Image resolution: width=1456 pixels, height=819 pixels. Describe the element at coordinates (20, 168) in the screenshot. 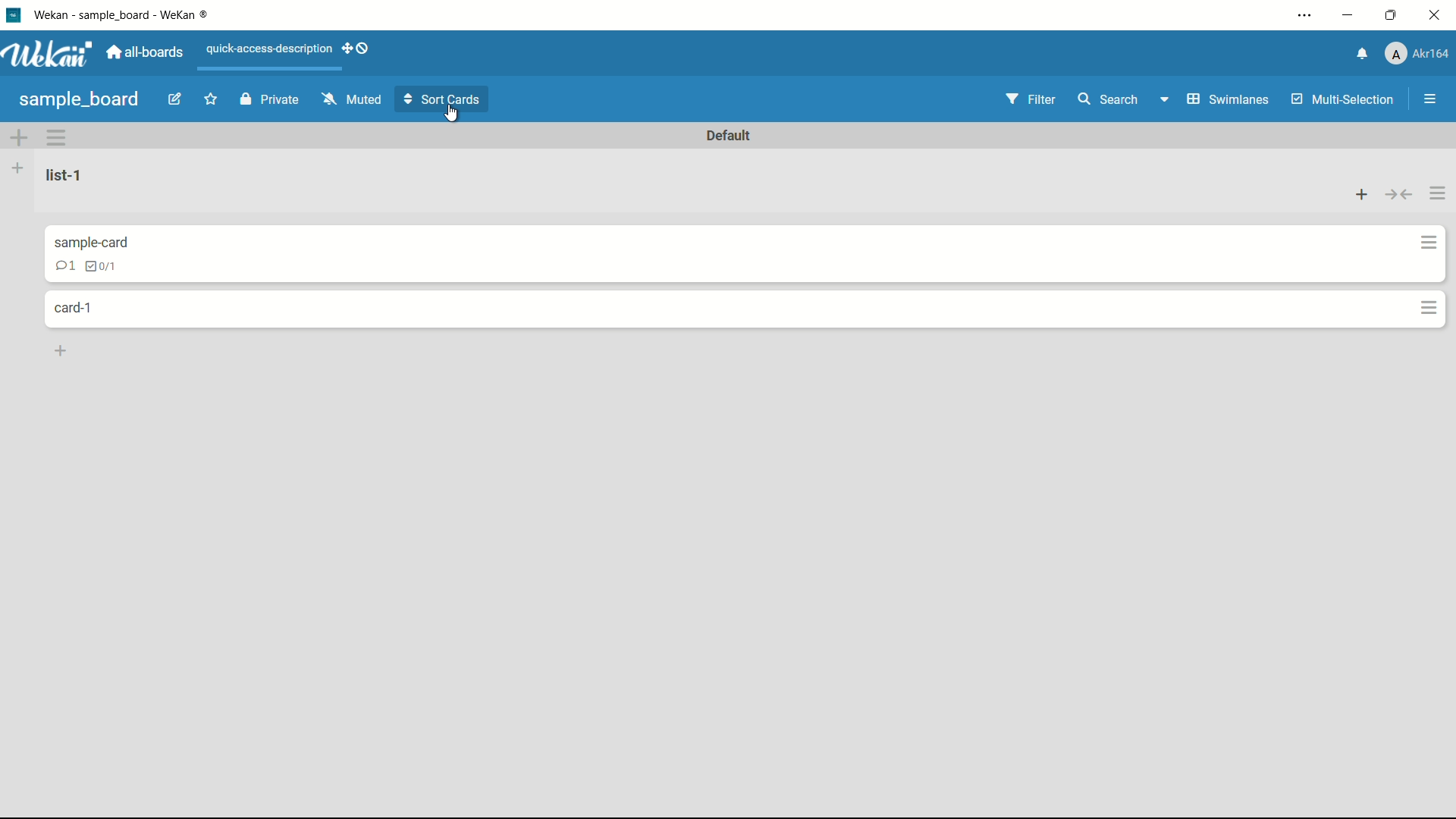

I see `add list` at that location.